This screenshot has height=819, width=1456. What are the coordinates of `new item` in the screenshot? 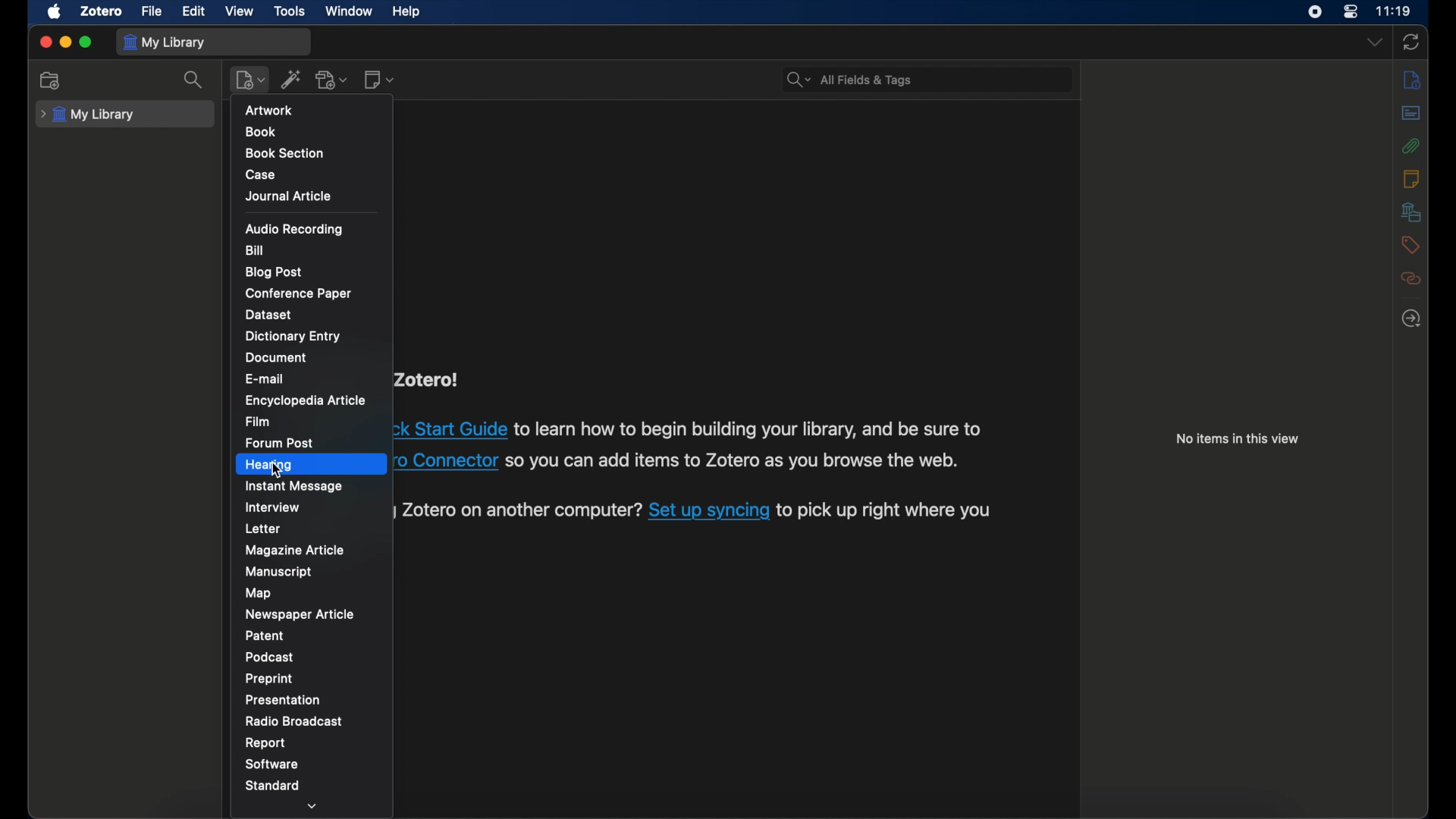 It's located at (251, 80).